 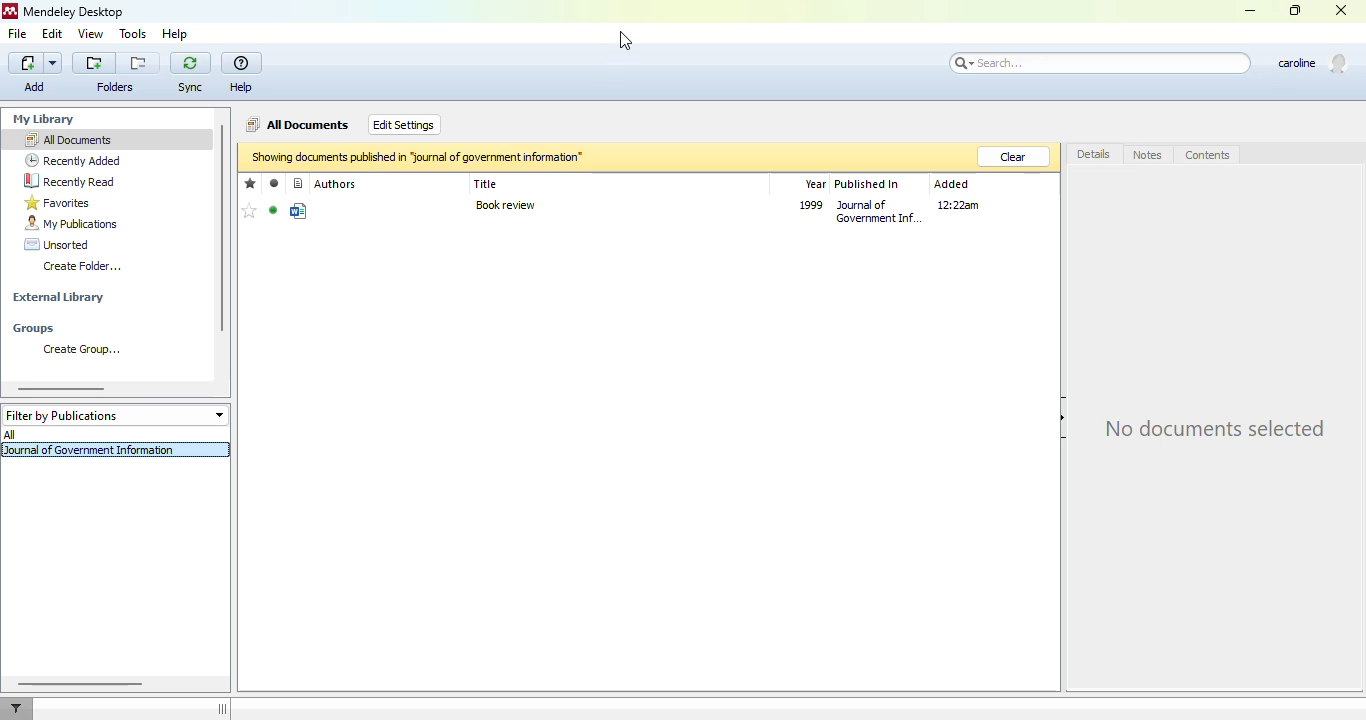 I want to click on 1999, so click(x=811, y=205).